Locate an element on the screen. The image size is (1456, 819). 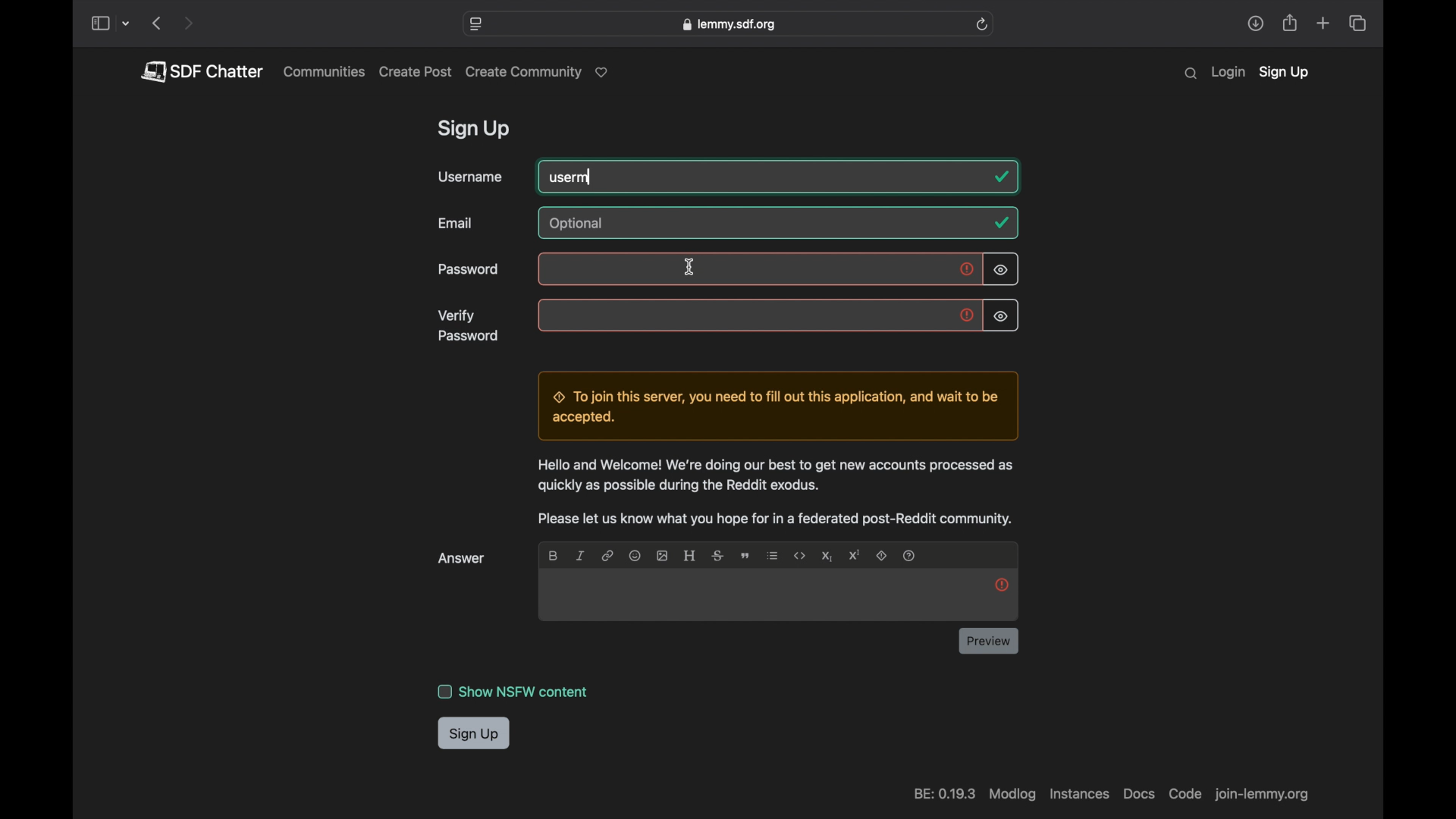
web address is located at coordinates (728, 24).